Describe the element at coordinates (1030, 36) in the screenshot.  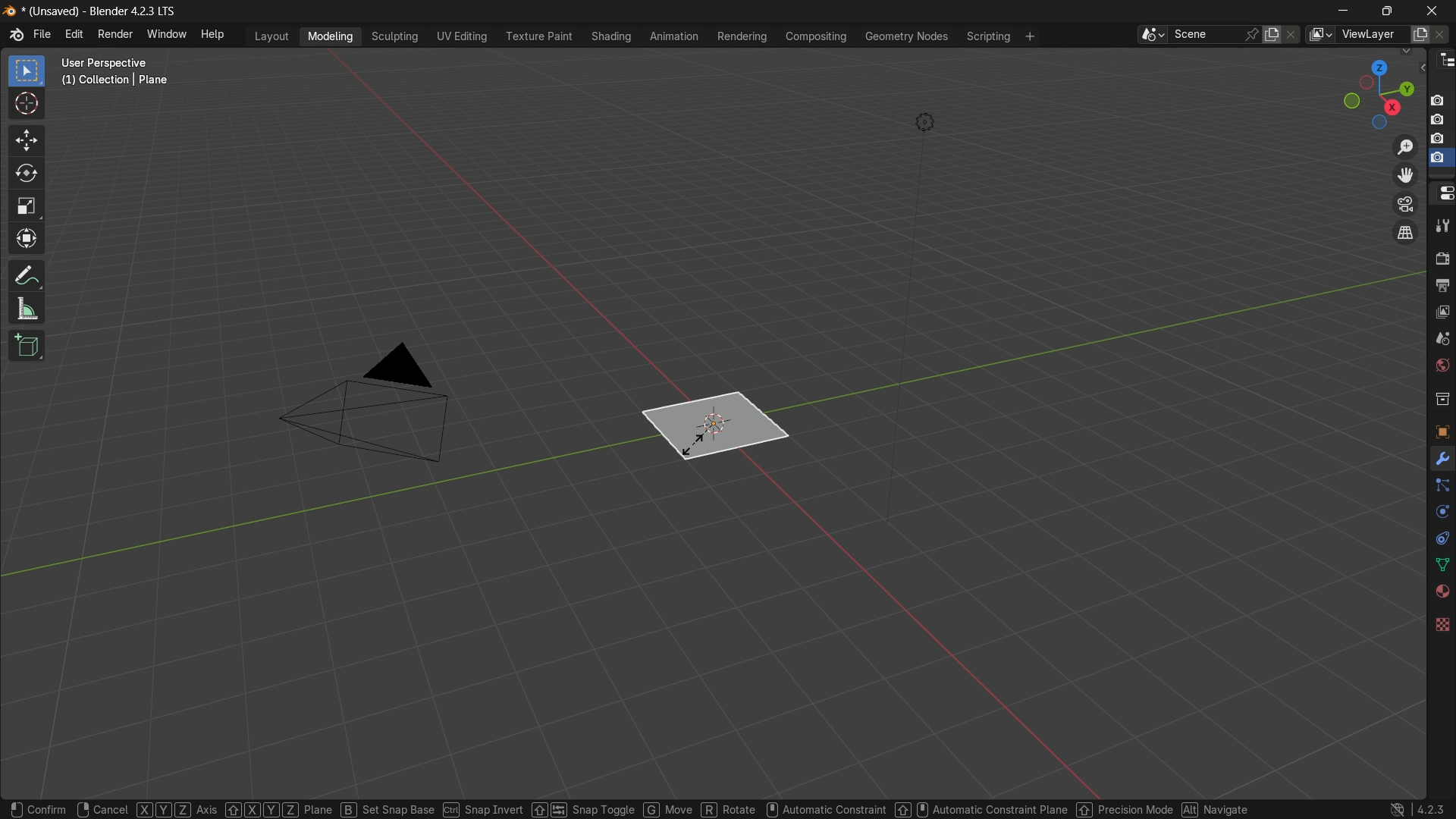
I see `add workplace` at that location.